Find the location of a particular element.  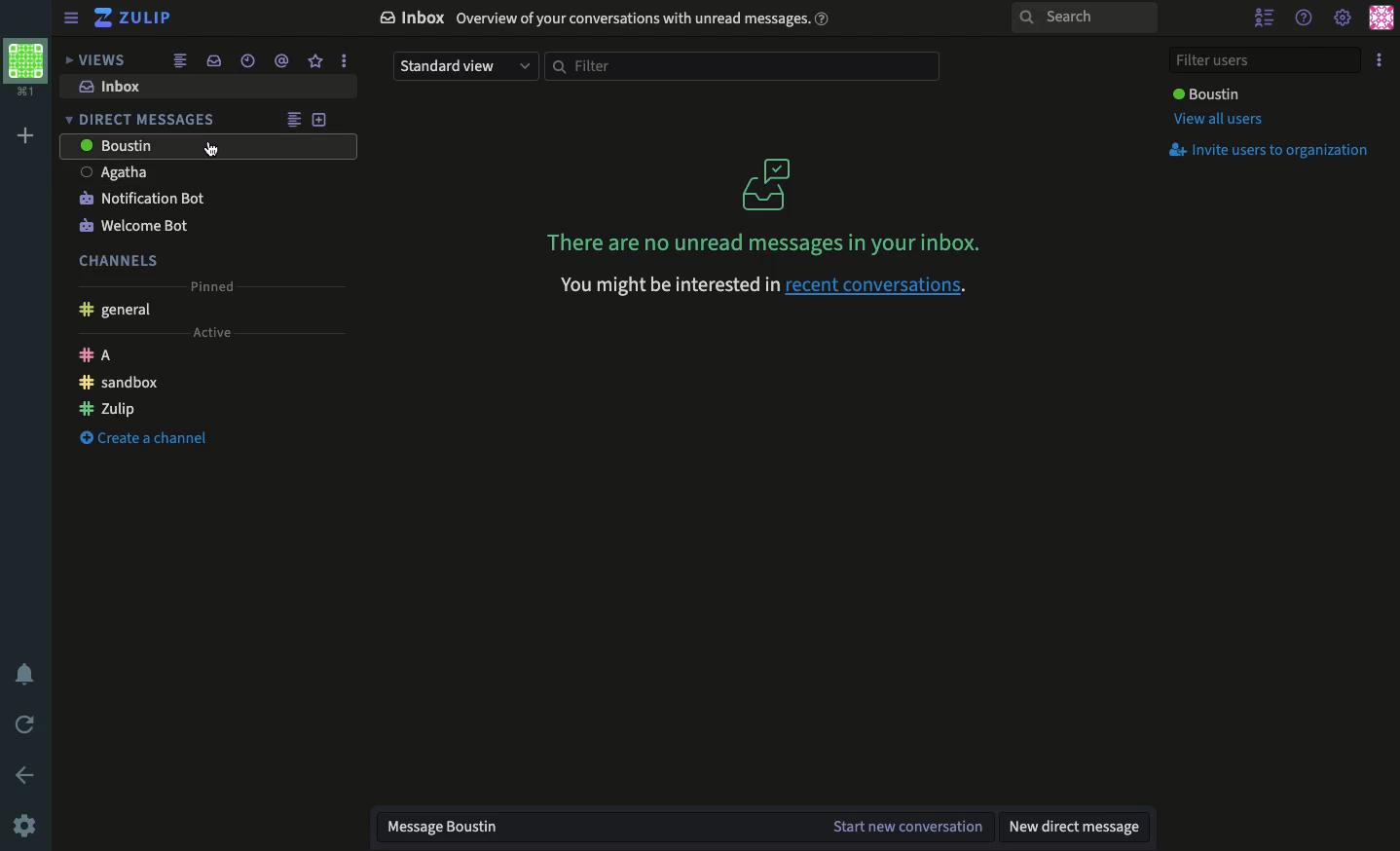

General is located at coordinates (116, 310).